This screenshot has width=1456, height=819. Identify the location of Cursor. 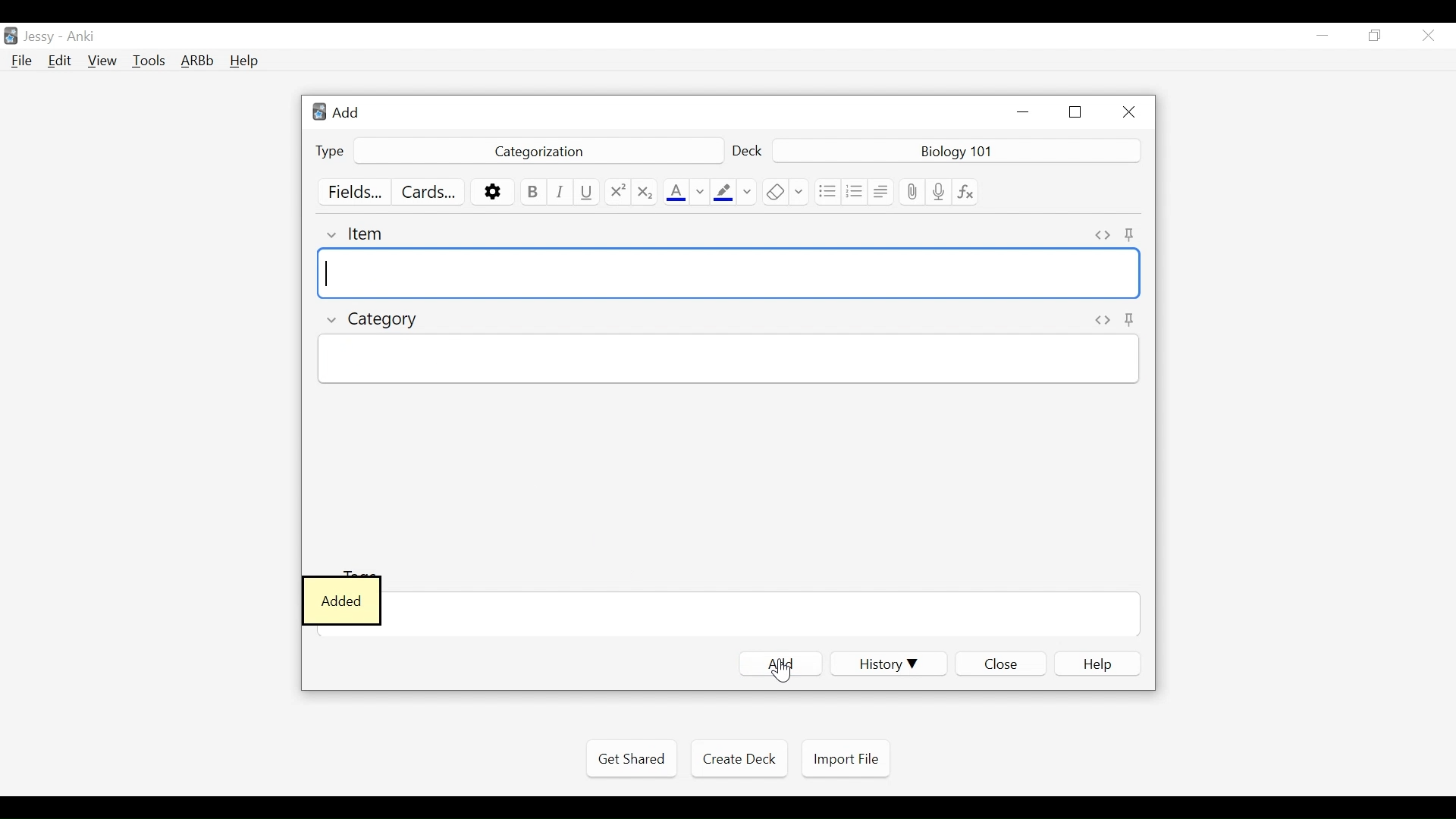
(781, 670).